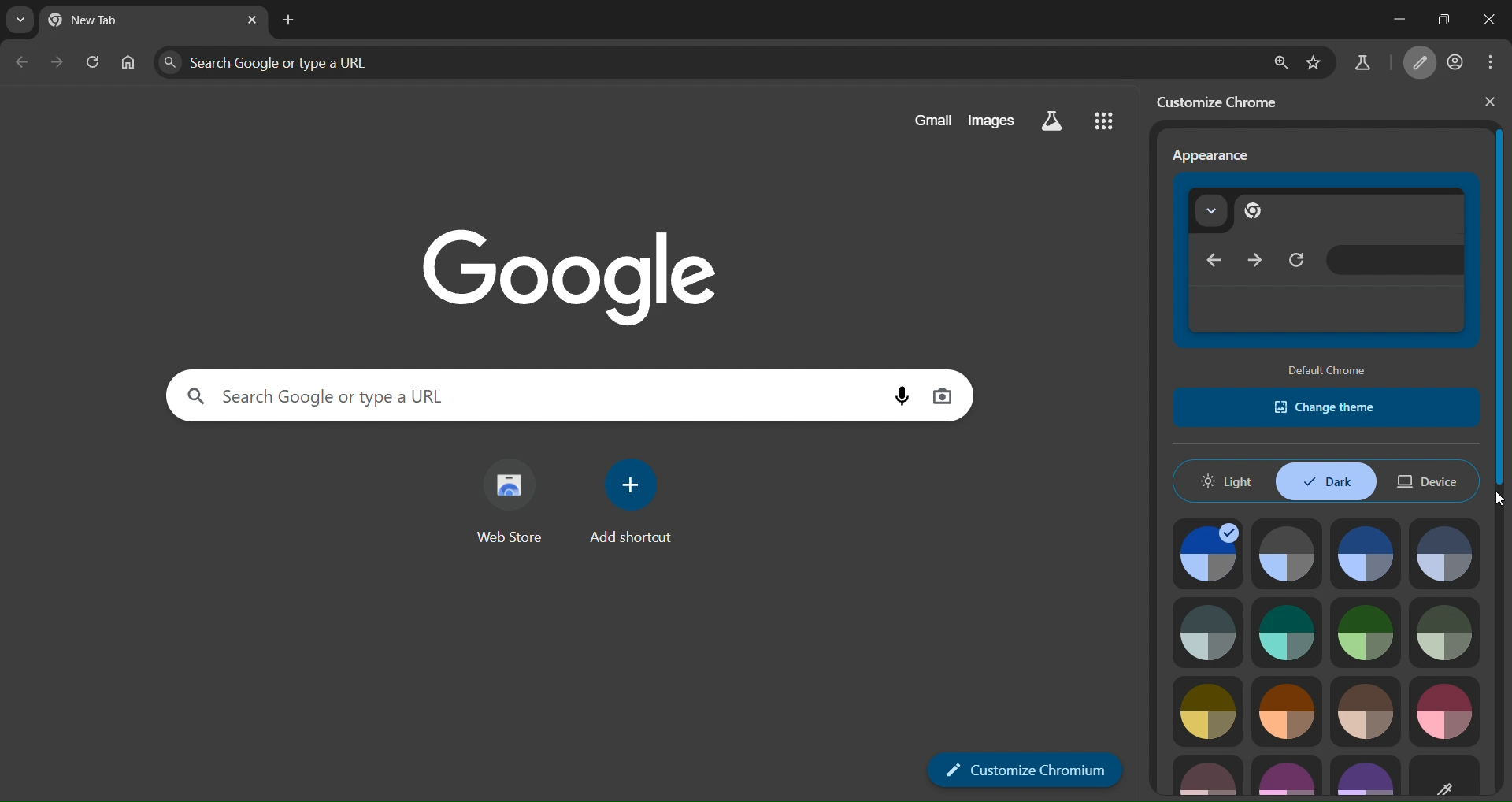 This screenshot has height=802, width=1512. What do you see at coordinates (1212, 158) in the screenshot?
I see `appearance` at bounding box center [1212, 158].